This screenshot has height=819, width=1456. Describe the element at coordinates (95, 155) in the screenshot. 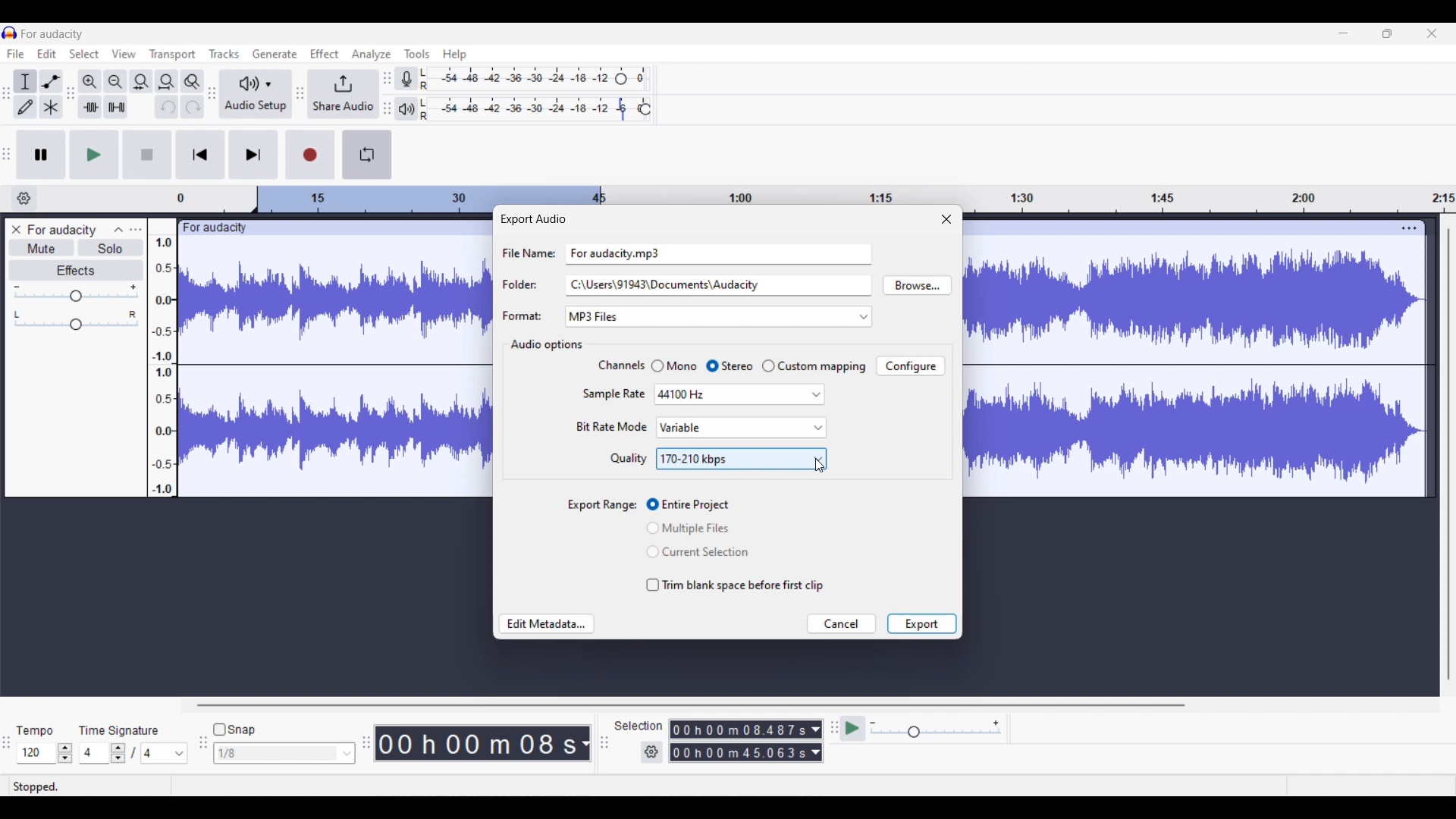

I see `Play/Play once` at that location.